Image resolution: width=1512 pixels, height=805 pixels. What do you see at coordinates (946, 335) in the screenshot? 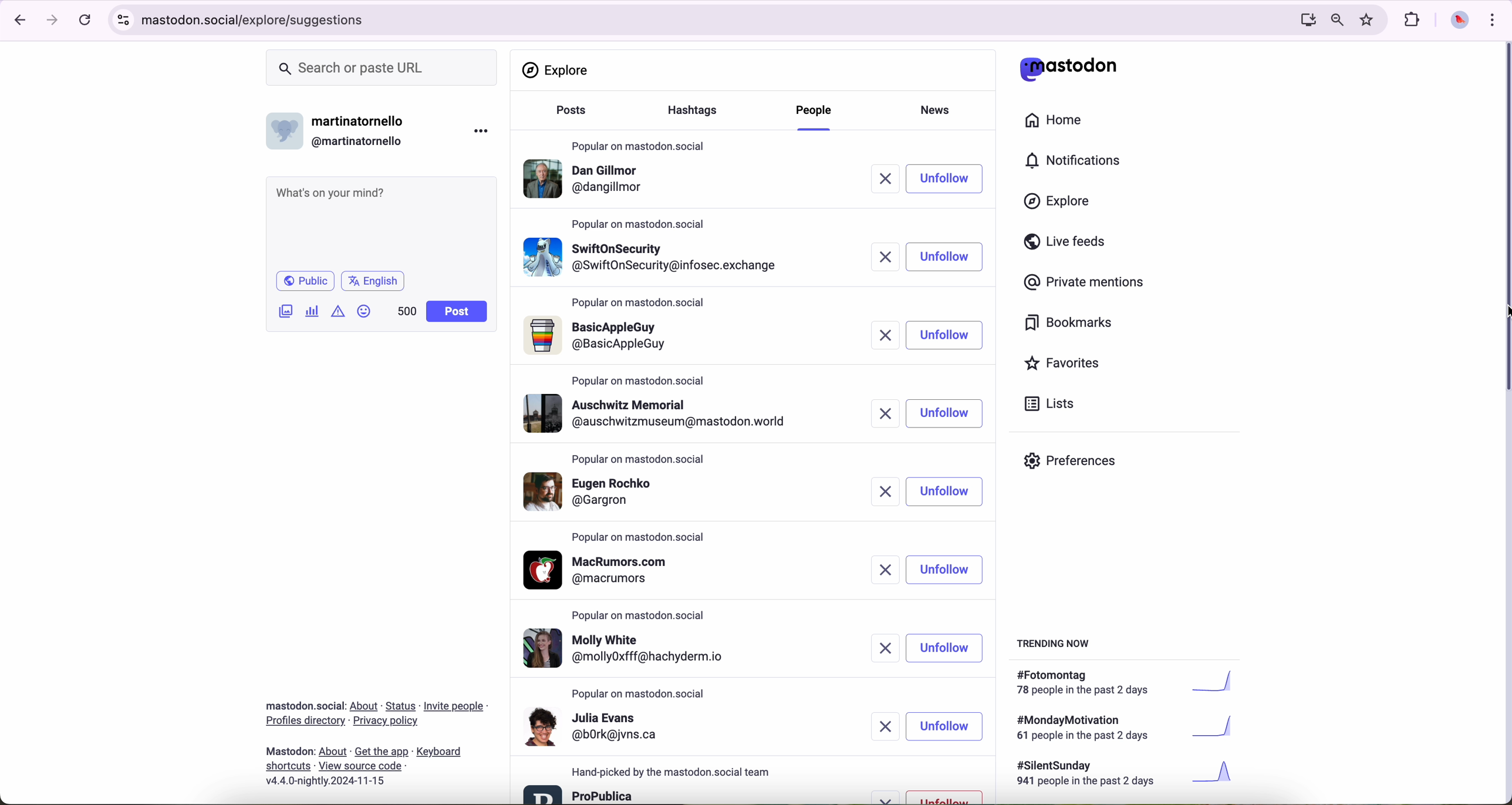
I see `unfollow` at bounding box center [946, 335].